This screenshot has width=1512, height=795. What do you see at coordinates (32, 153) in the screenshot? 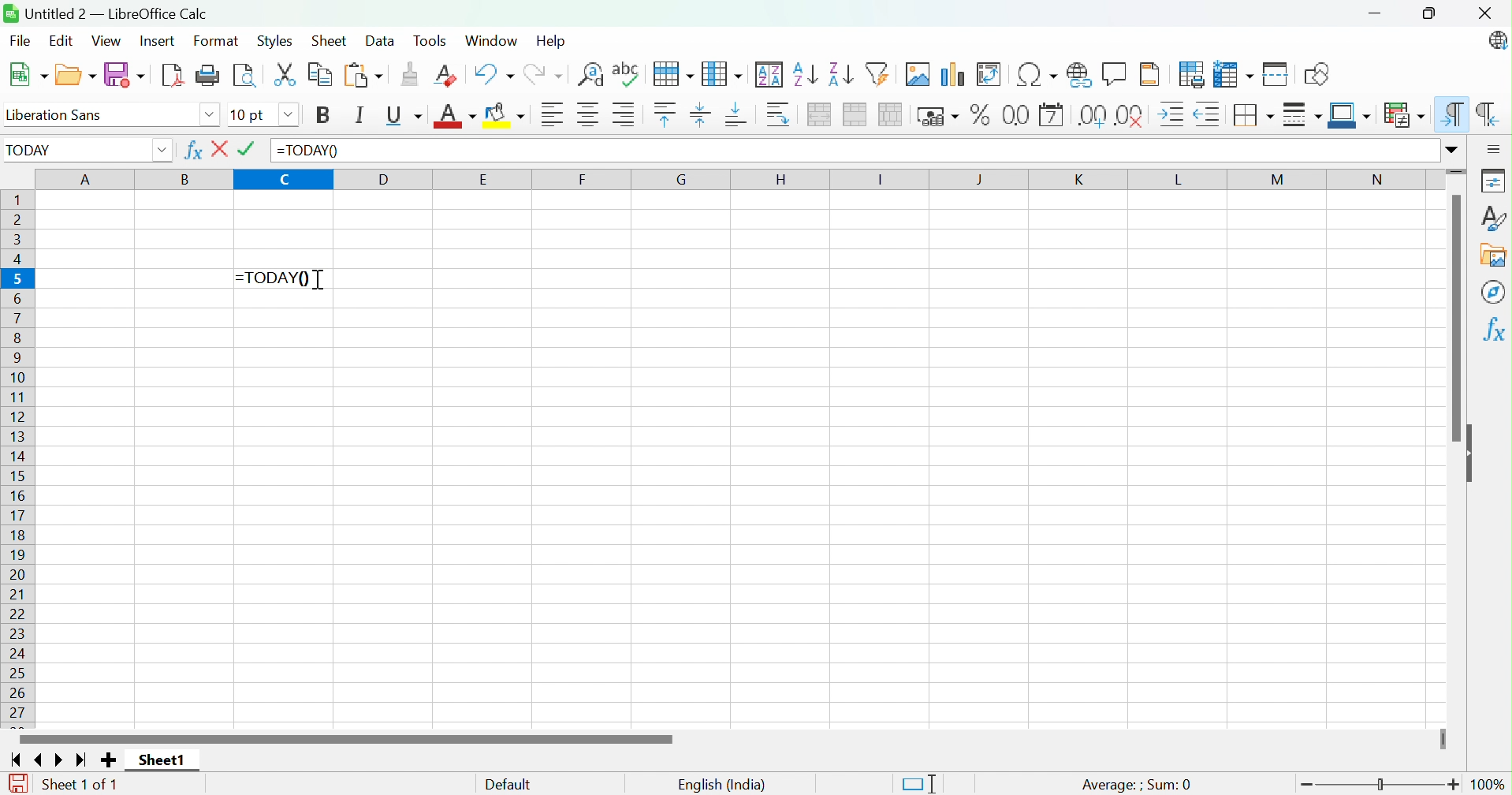
I see `TODAY` at bounding box center [32, 153].